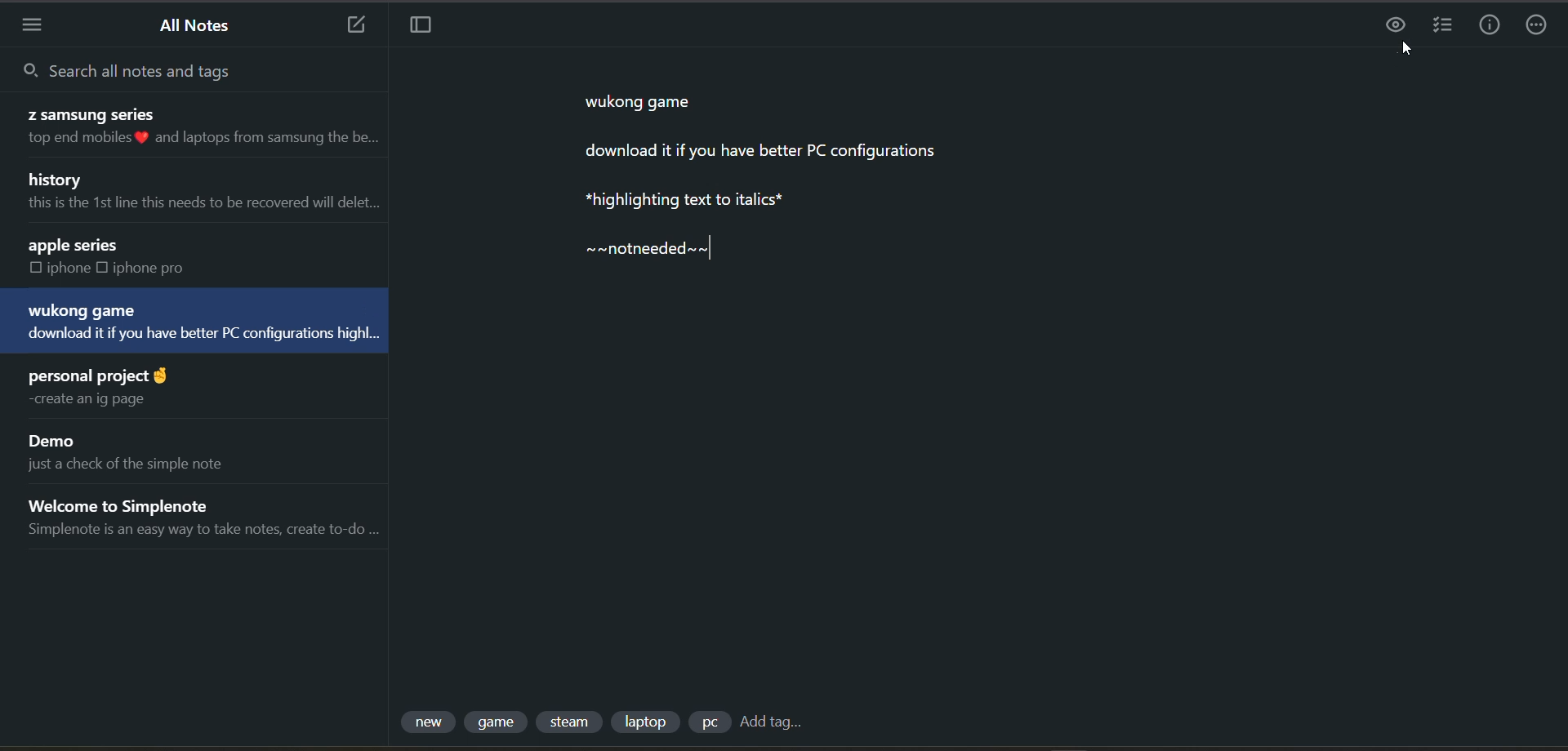  Describe the element at coordinates (122, 256) in the screenshot. I see `note title and preview` at that location.